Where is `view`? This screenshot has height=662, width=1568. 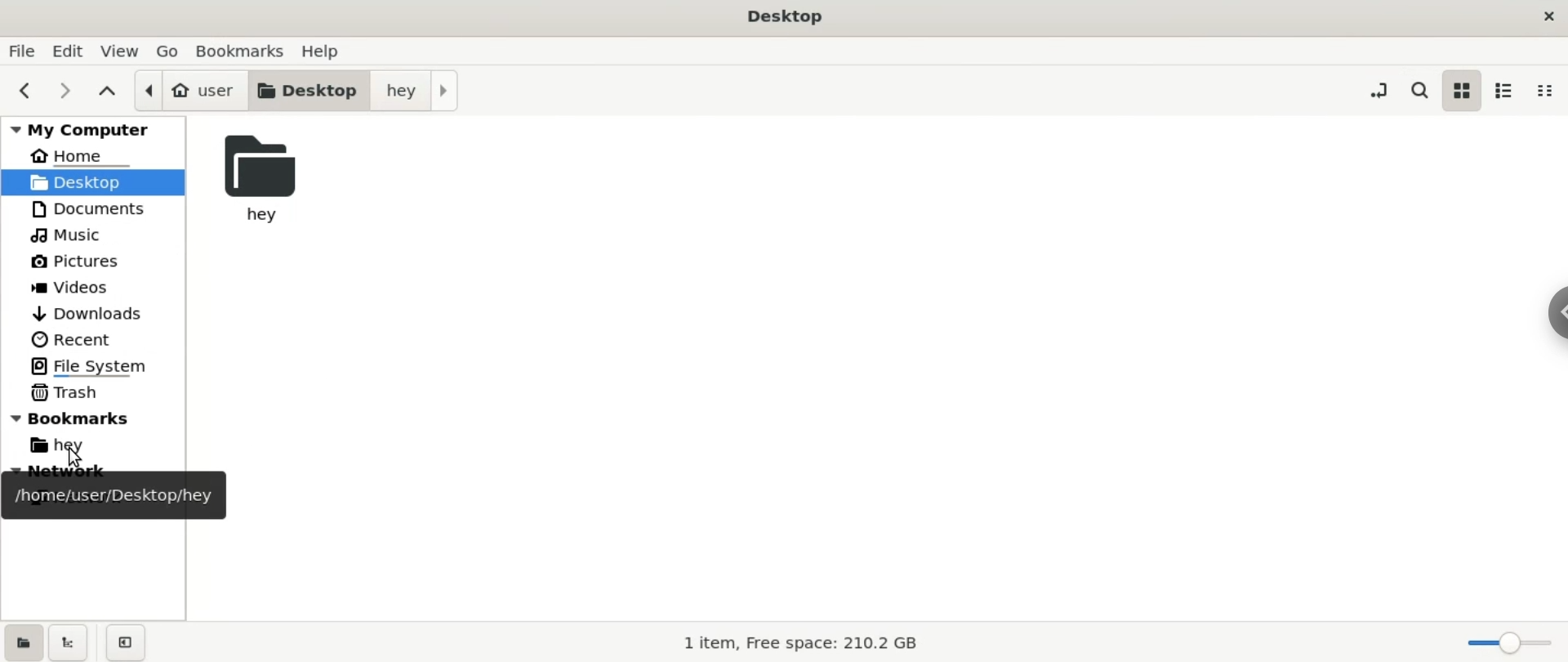
view is located at coordinates (122, 50).